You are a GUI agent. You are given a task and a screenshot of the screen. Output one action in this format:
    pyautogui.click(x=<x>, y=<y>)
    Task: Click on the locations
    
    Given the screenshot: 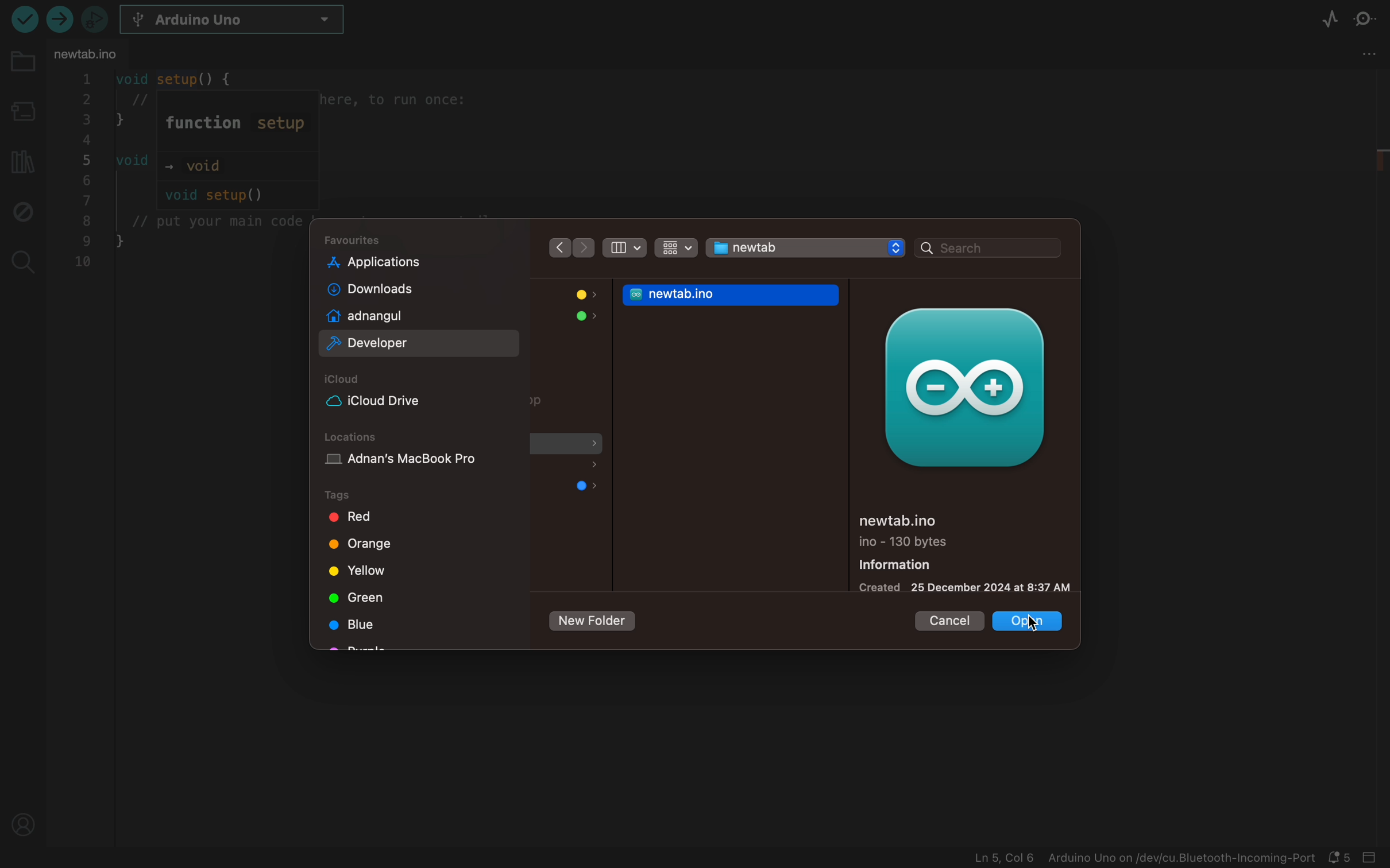 What is the action you would take?
    pyautogui.click(x=354, y=437)
    